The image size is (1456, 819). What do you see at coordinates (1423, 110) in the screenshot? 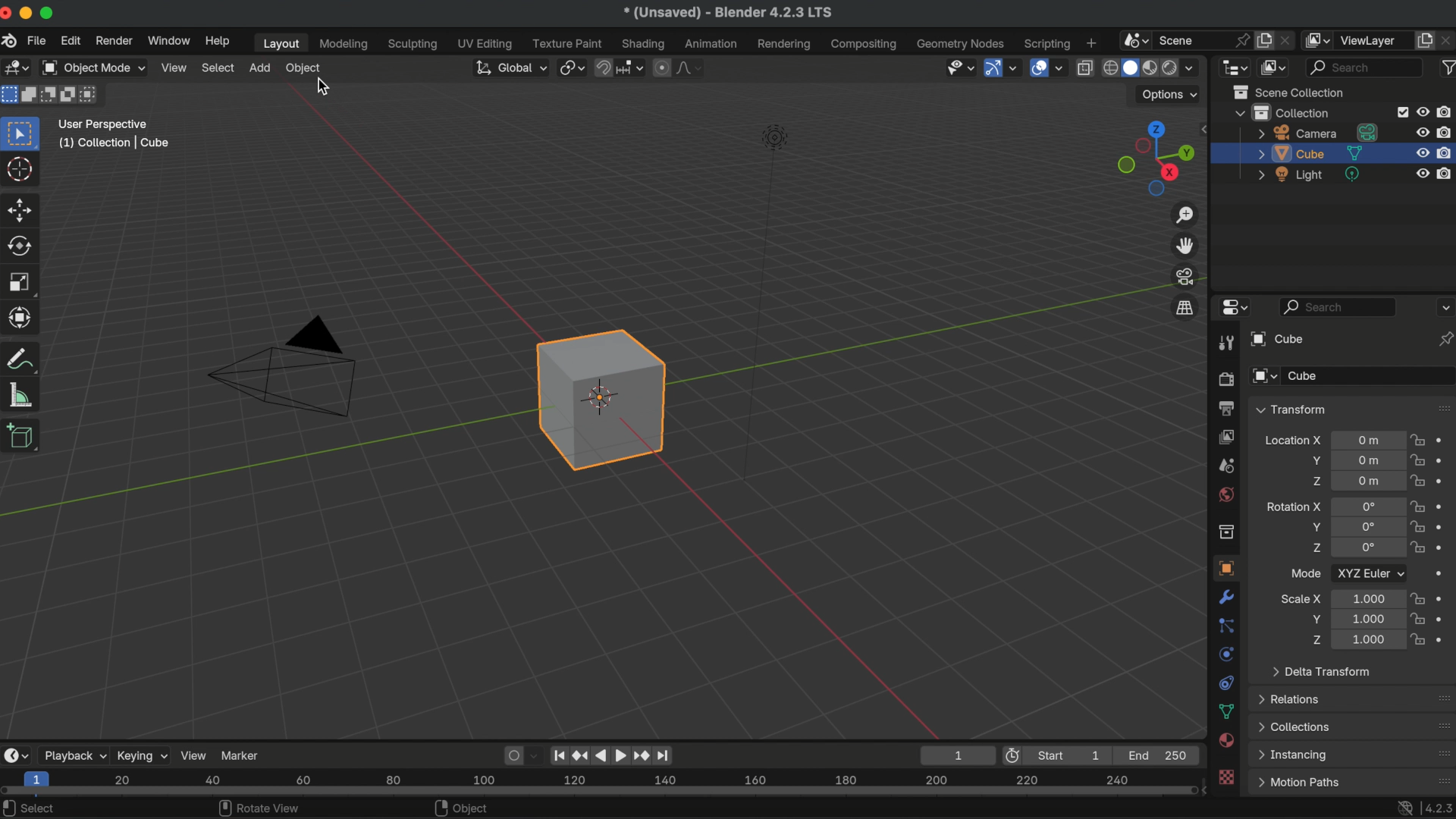
I see `hide in viewport` at bounding box center [1423, 110].